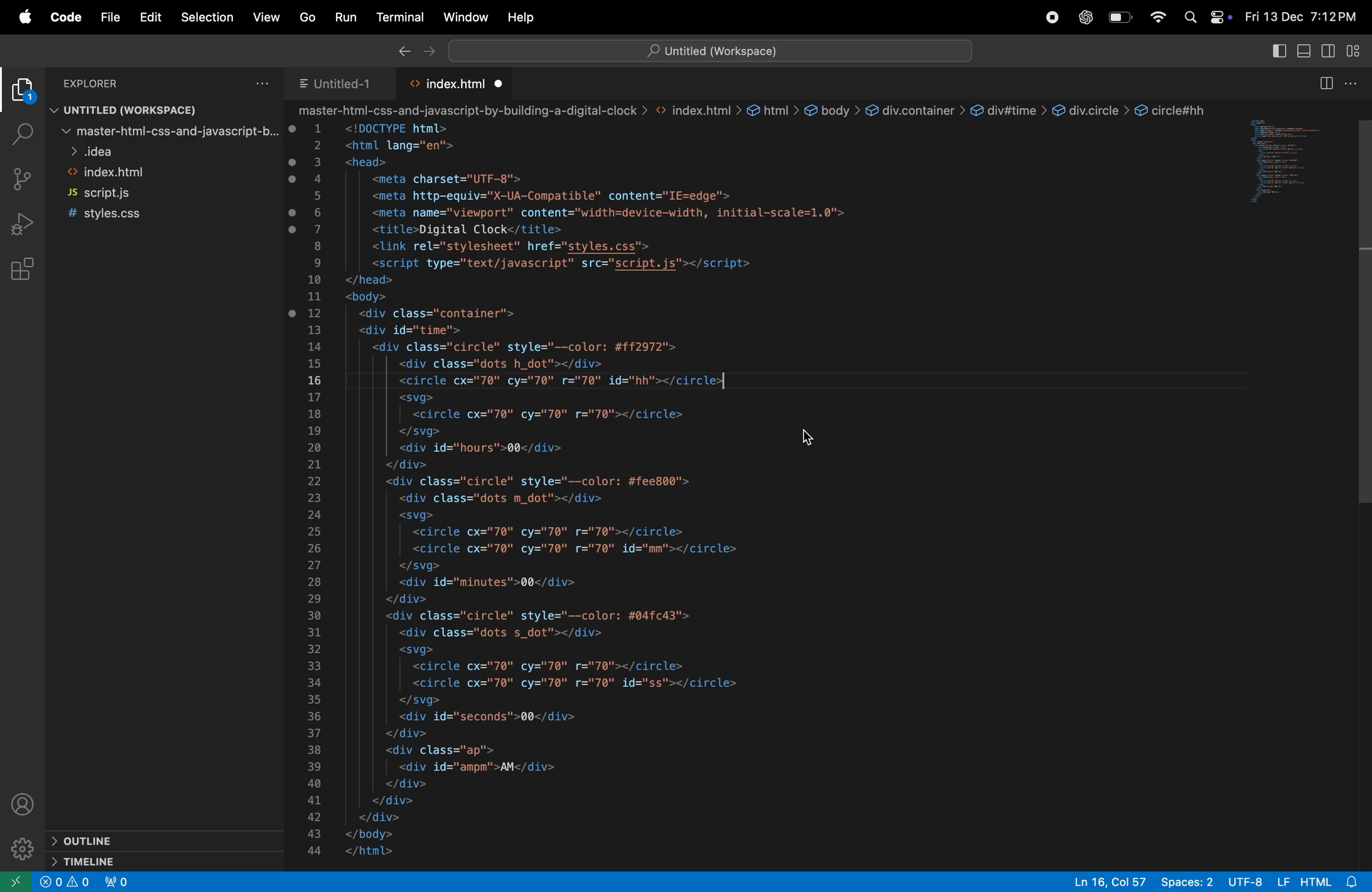 The image size is (1372, 892). What do you see at coordinates (1205, 17) in the screenshot?
I see `apple widgets` at bounding box center [1205, 17].